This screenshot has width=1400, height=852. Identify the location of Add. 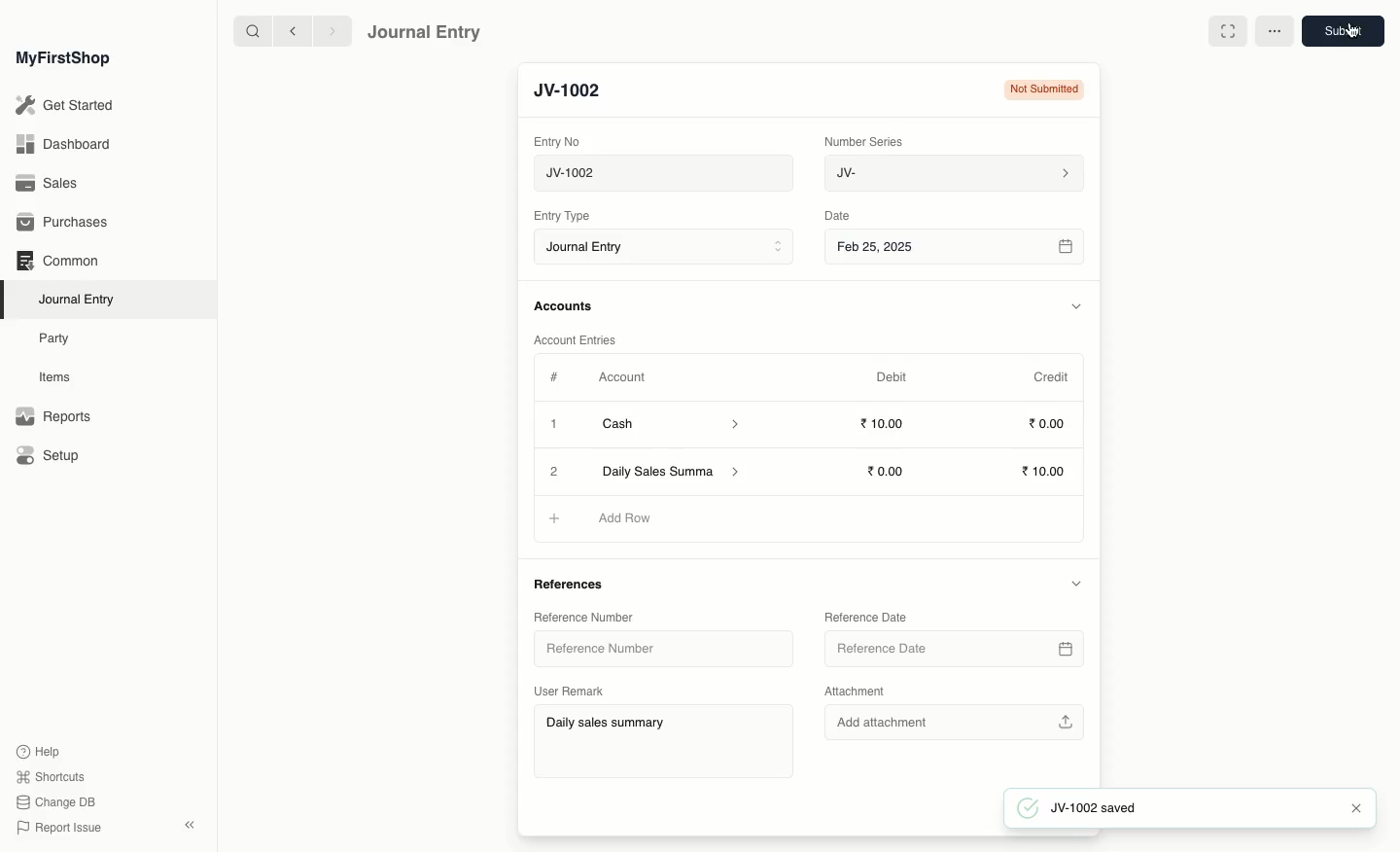
(551, 517).